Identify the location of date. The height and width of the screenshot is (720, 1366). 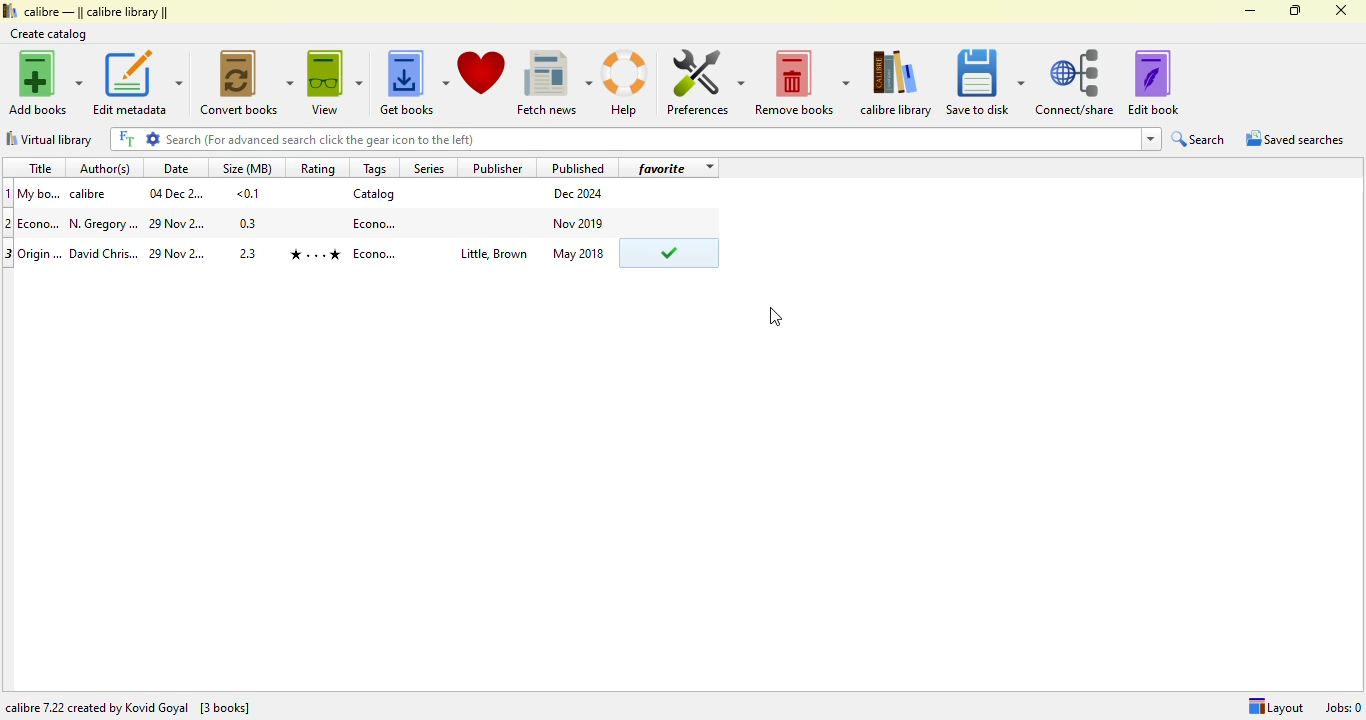
(176, 168).